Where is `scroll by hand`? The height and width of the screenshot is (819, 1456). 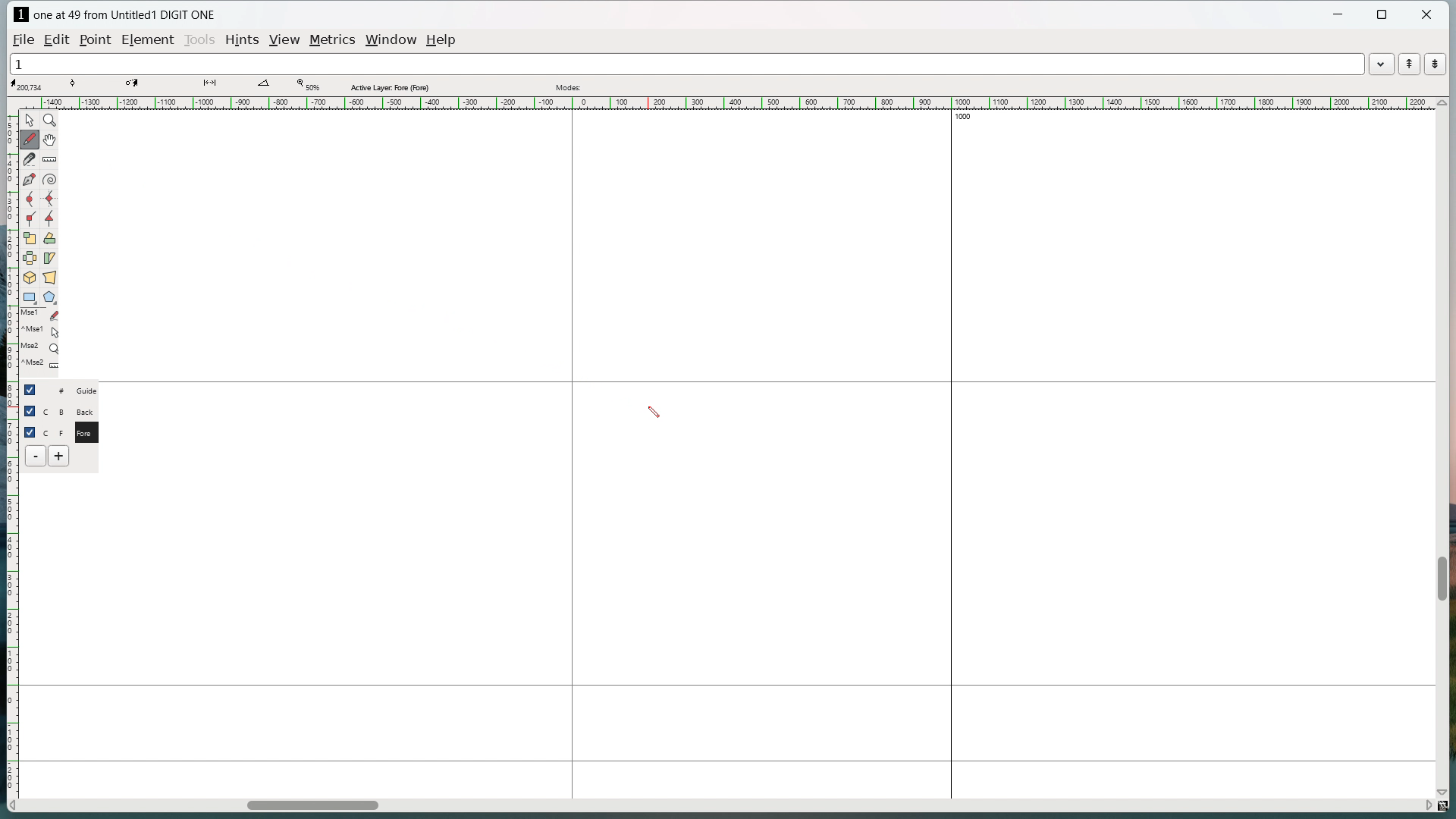
scroll by hand is located at coordinates (52, 139).